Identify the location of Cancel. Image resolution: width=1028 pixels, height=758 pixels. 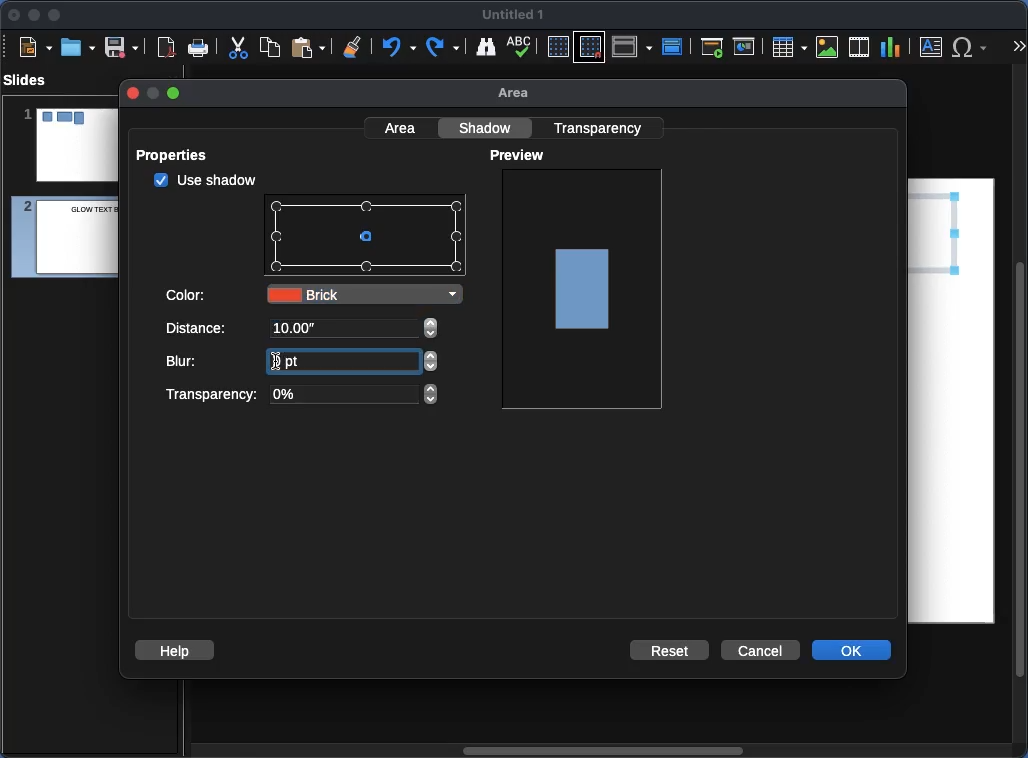
(759, 651).